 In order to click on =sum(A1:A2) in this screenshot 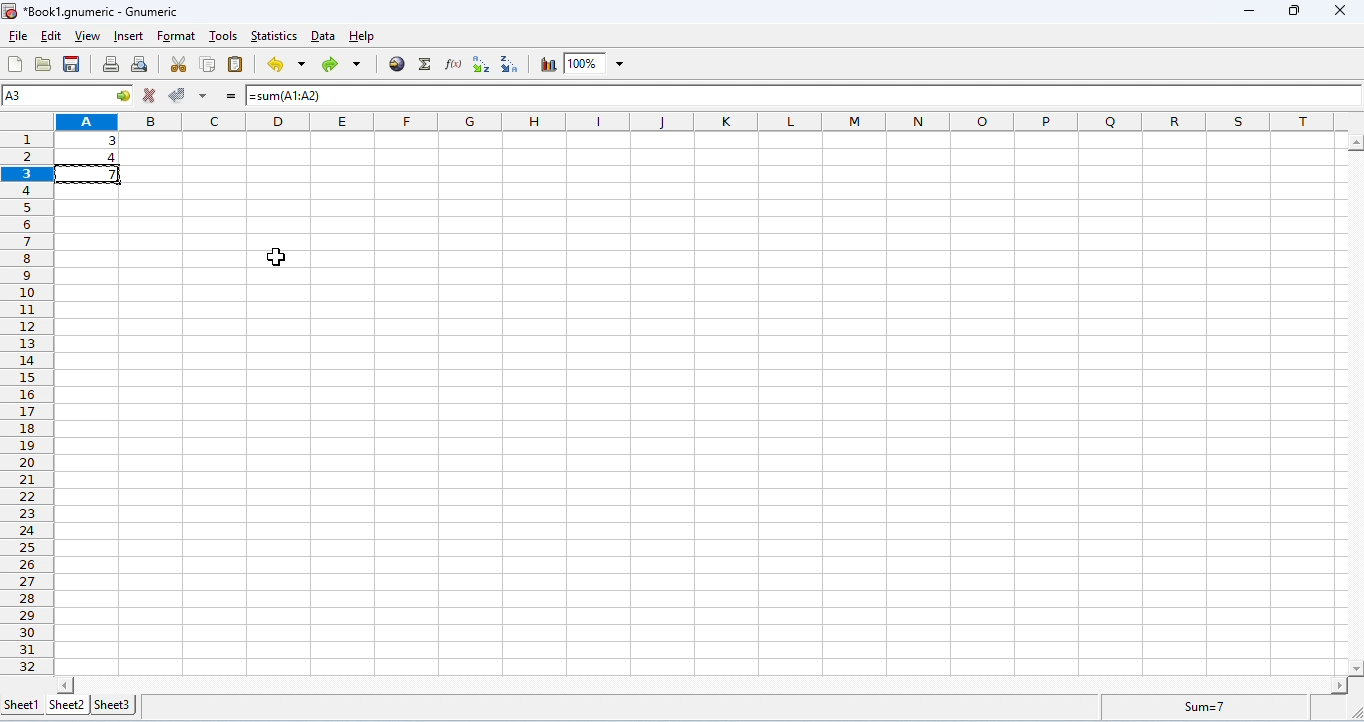, I will do `click(308, 96)`.